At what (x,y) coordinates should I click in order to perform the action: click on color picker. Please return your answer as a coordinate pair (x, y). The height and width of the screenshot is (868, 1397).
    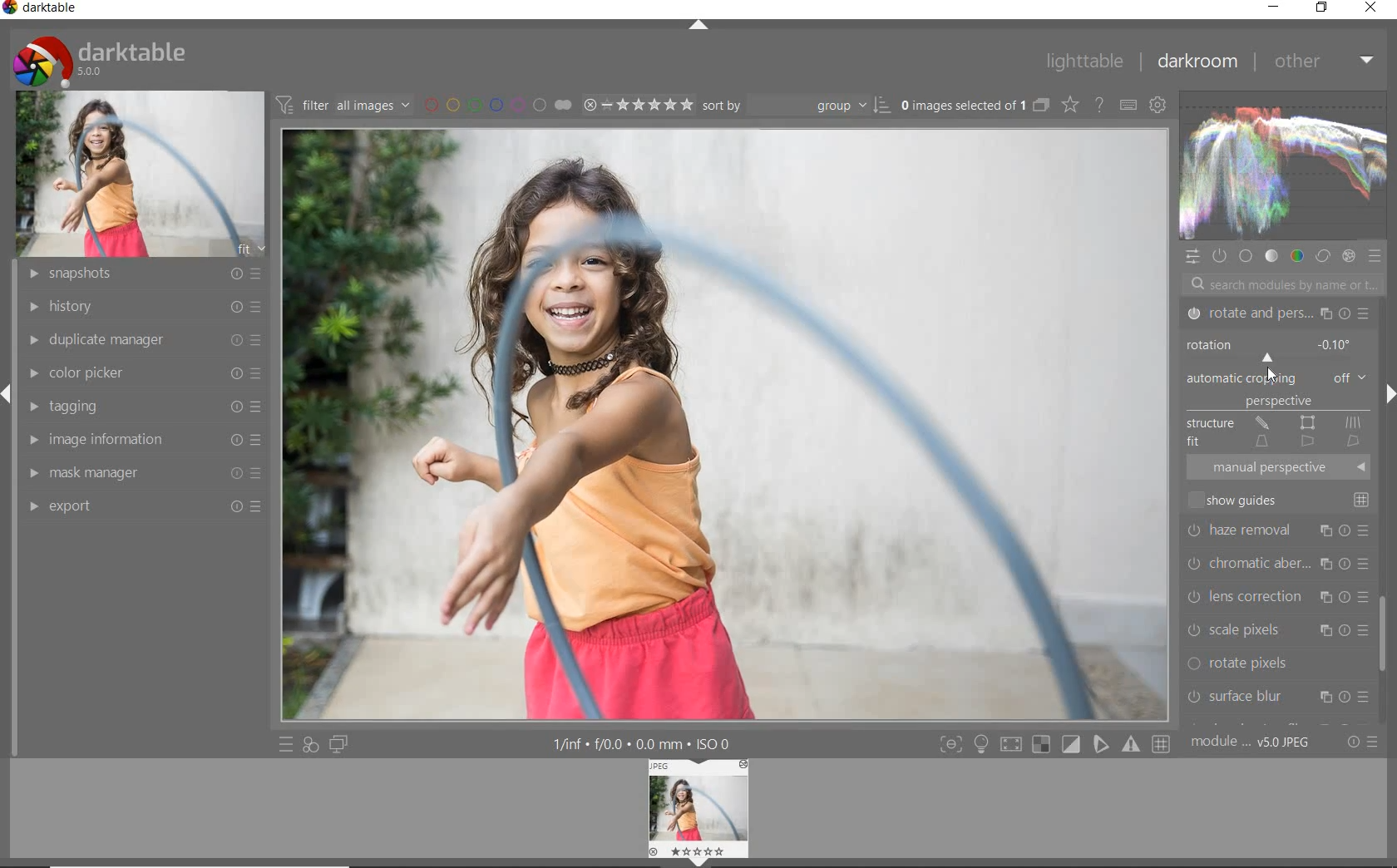
    Looking at the image, I should click on (142, 372).